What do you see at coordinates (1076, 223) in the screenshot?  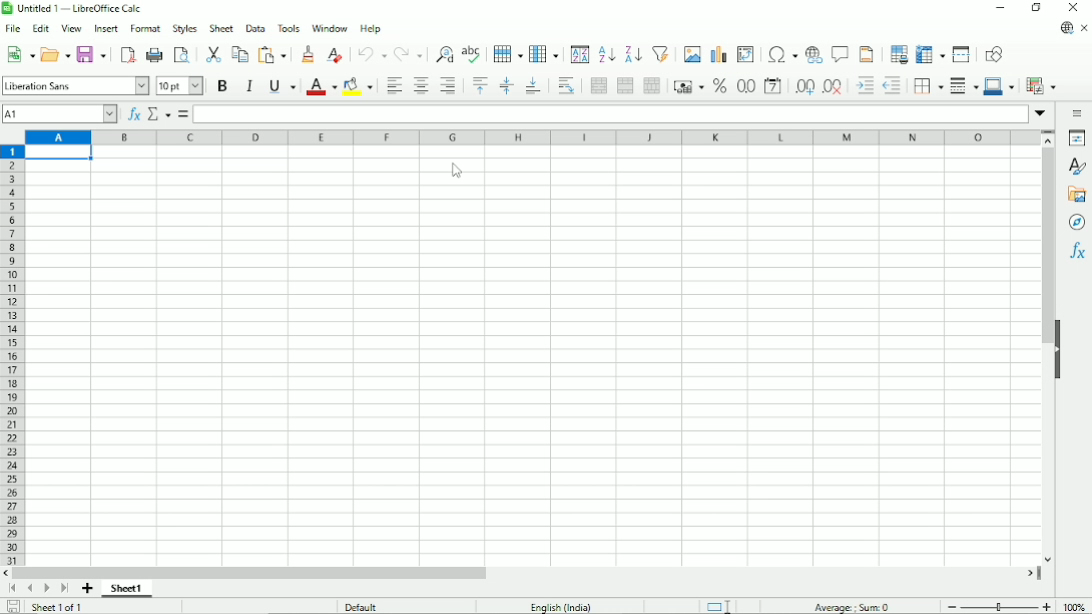 I see `Navigator` at bounding box center [1076, 223].